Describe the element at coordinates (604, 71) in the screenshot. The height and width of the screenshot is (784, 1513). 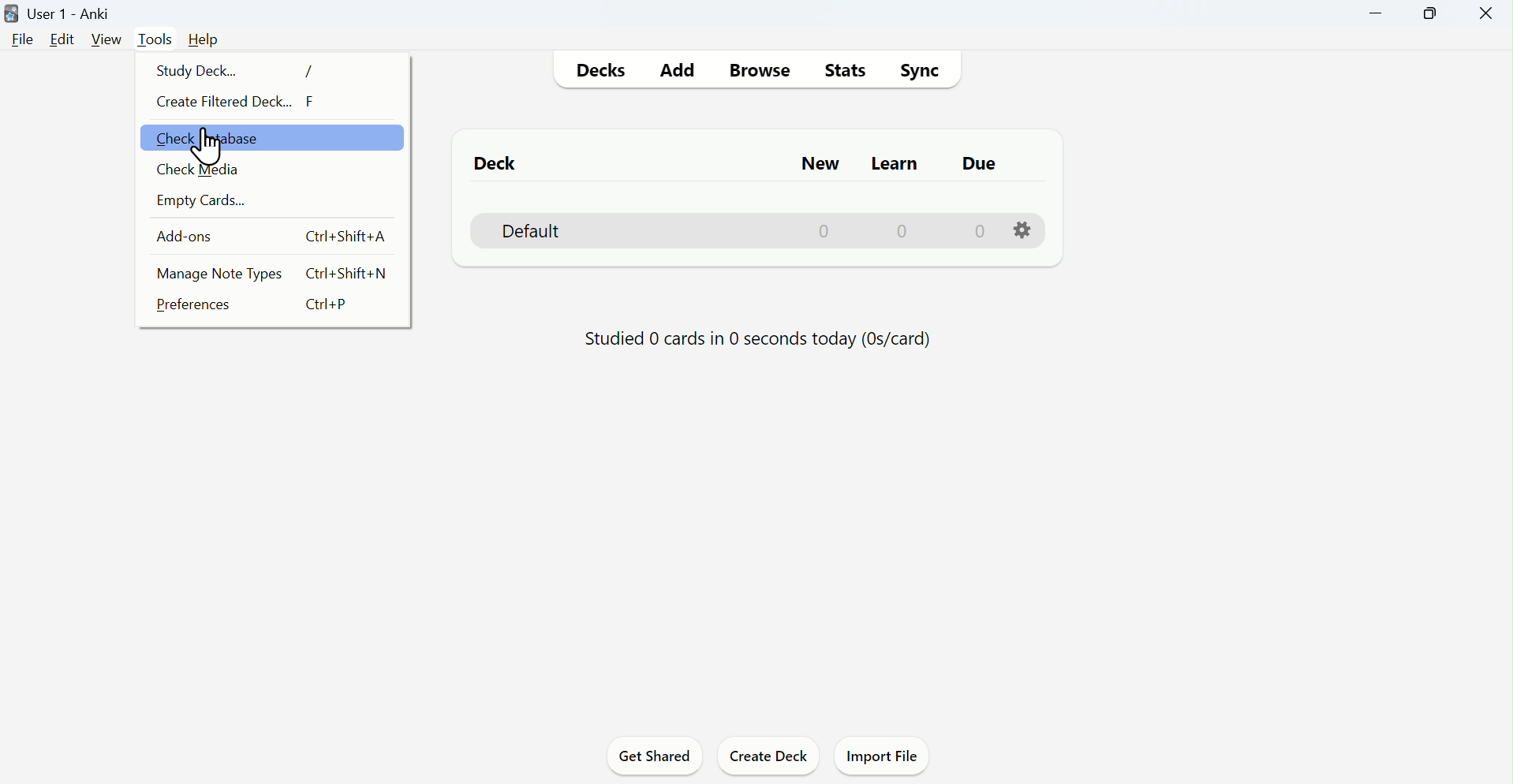
I see `Decks` at that location.